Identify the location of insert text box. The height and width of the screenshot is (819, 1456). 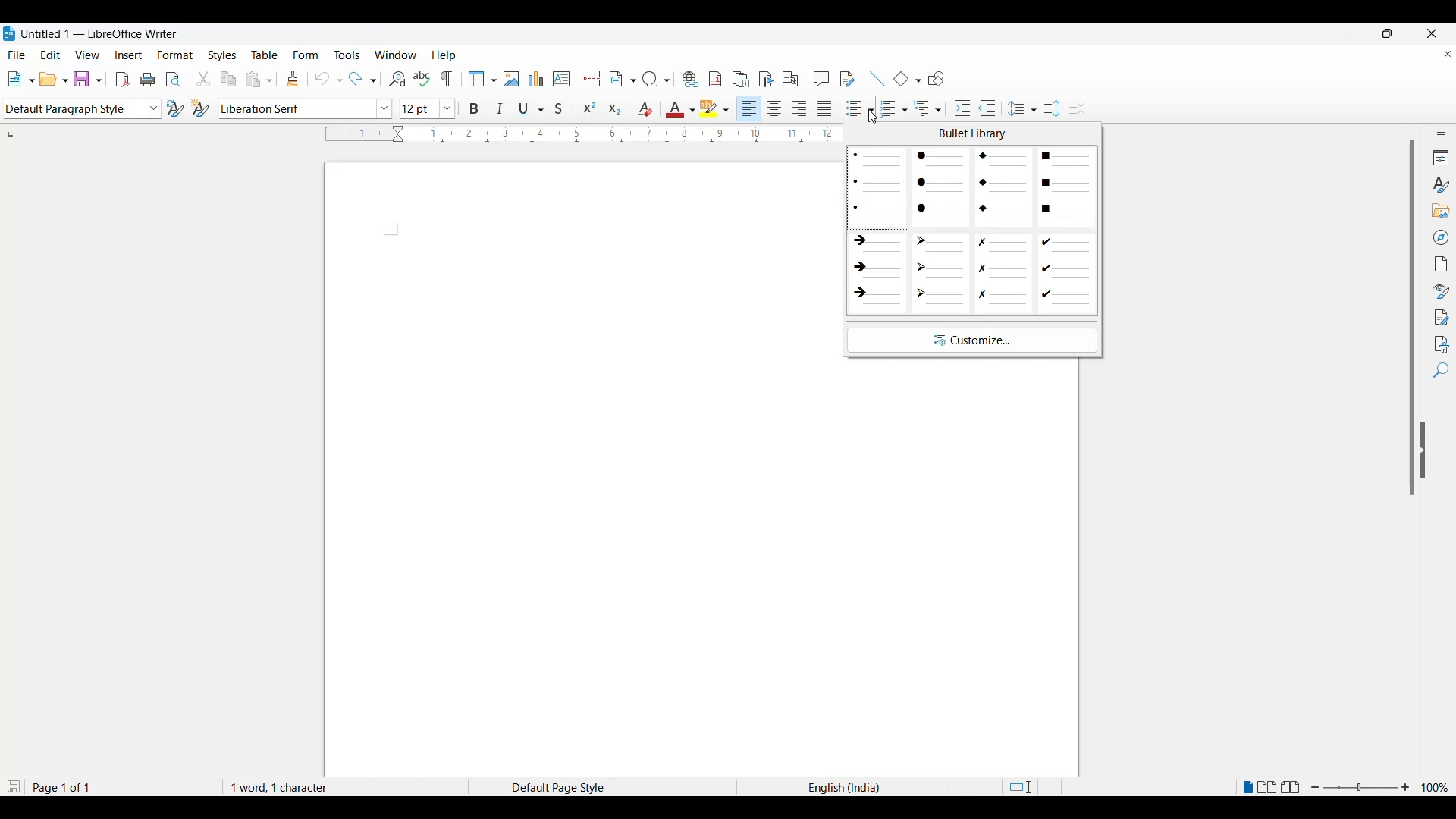
(563, 78).